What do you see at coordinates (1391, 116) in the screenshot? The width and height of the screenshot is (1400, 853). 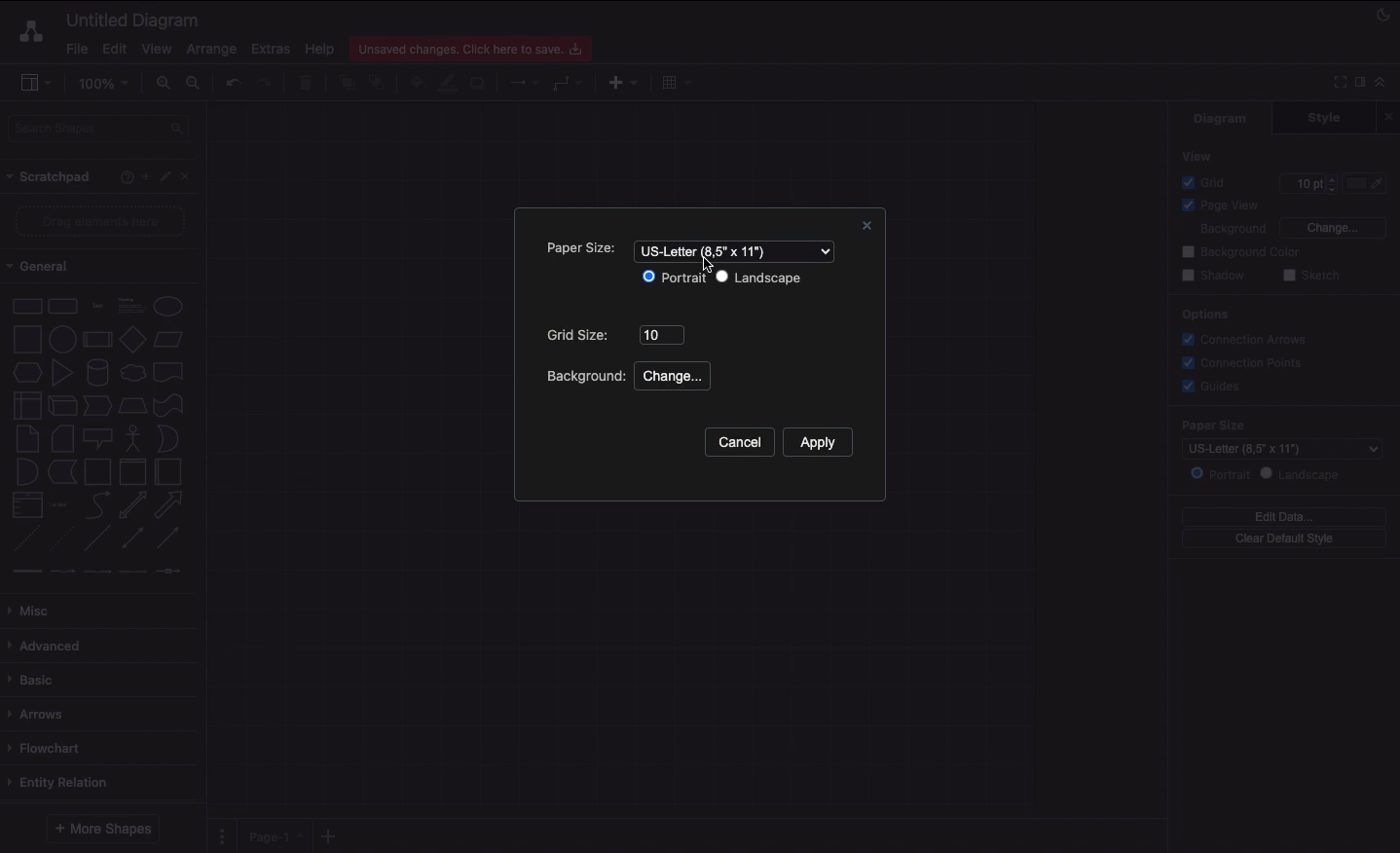 I see `Close` at bounding box center [1391, 116].